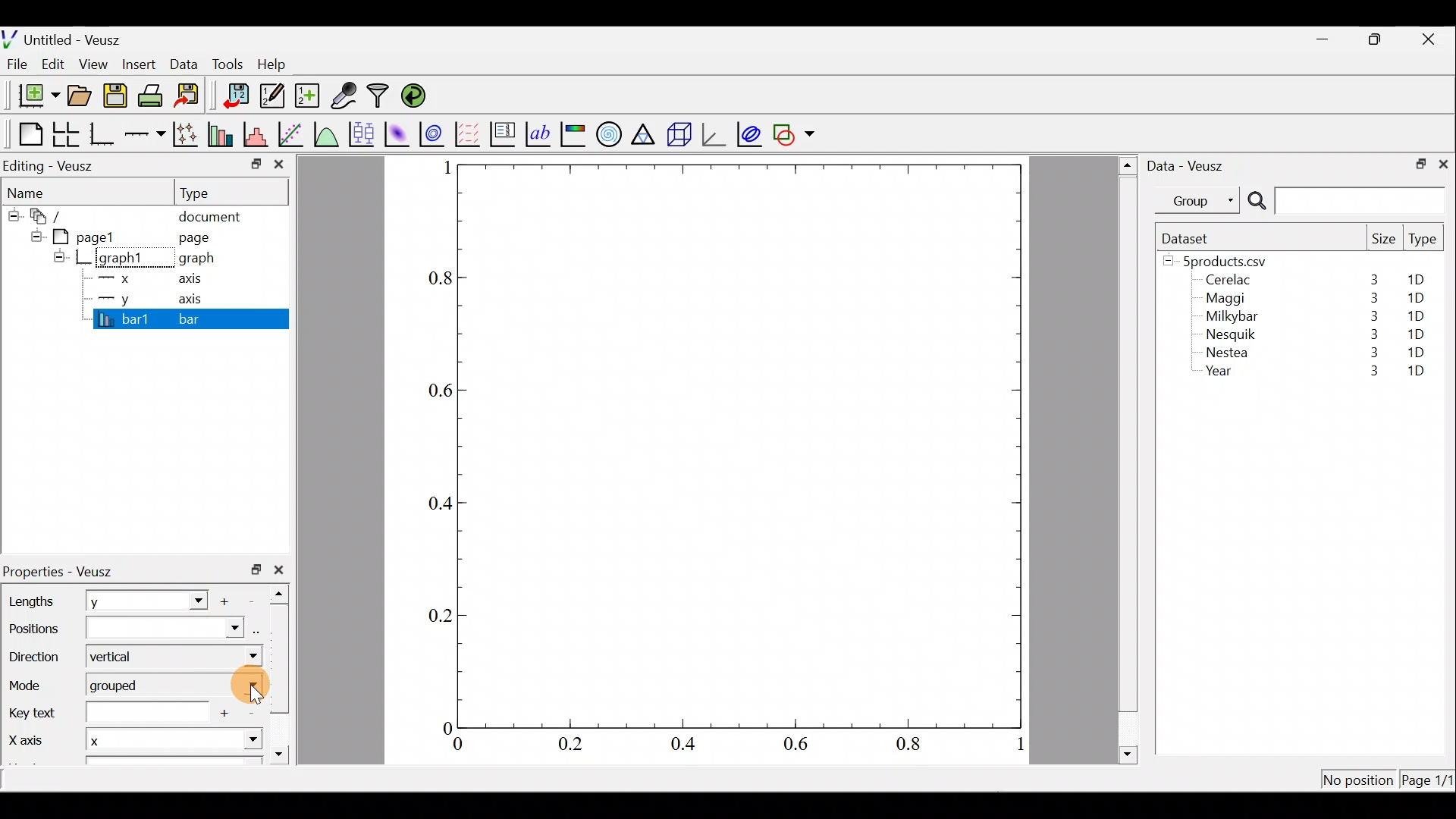 The image size is (1456, 819). I want to click on bar1, so click(124, 318).